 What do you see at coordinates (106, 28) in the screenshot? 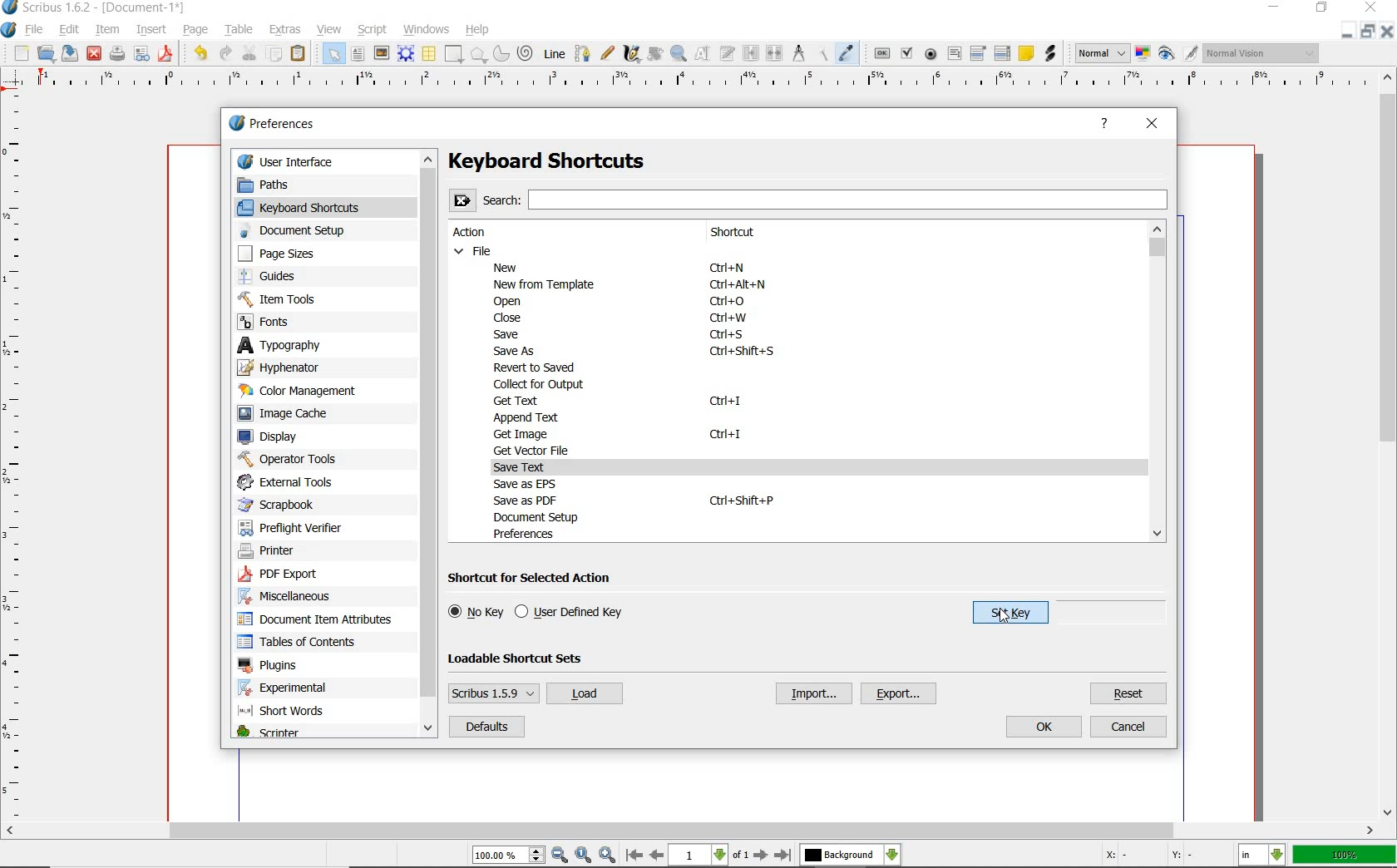
I see `item` at bounding box center [106, 28].